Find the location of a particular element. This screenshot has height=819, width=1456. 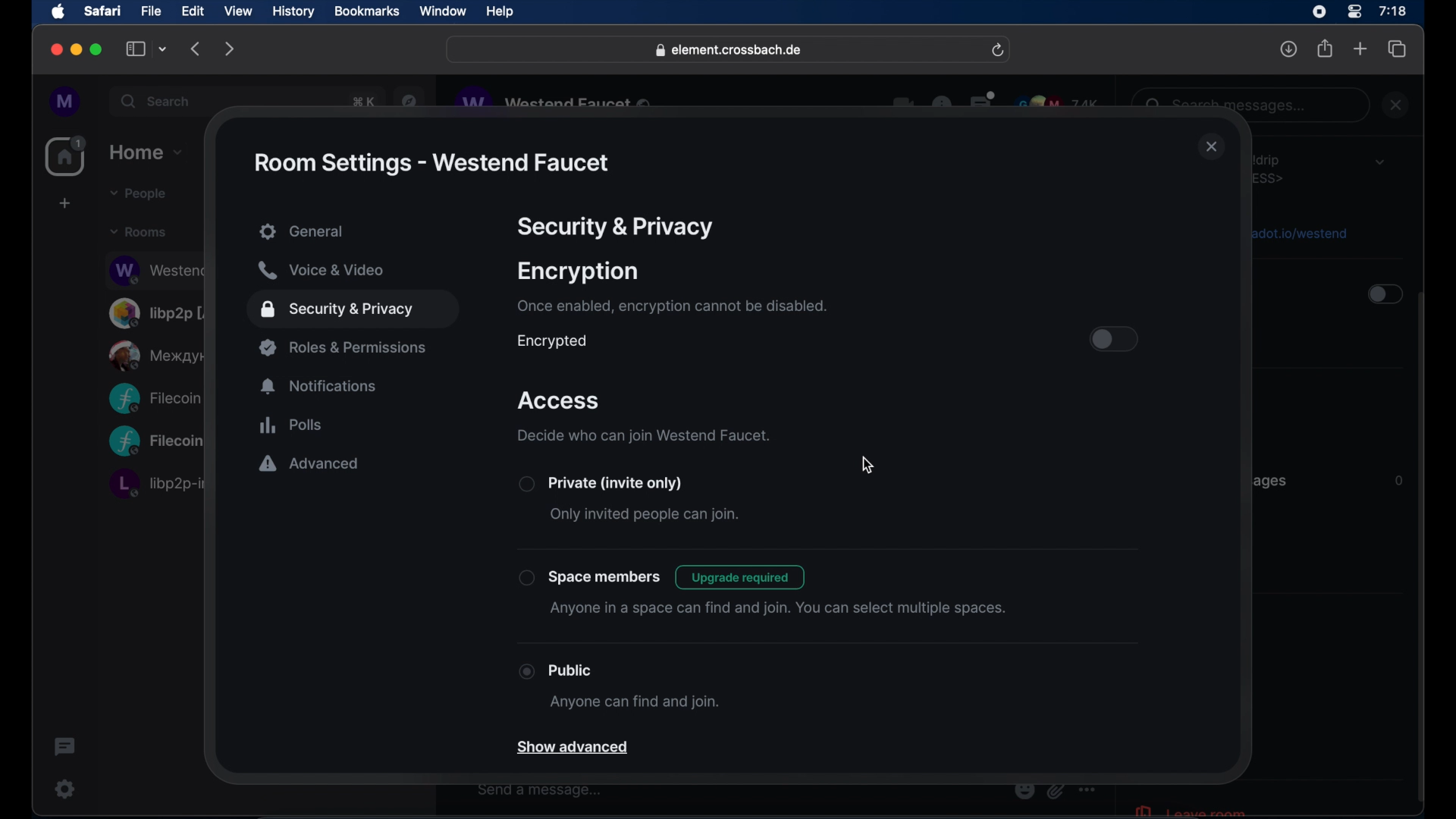

maximize is located at coordinates (98, 49).